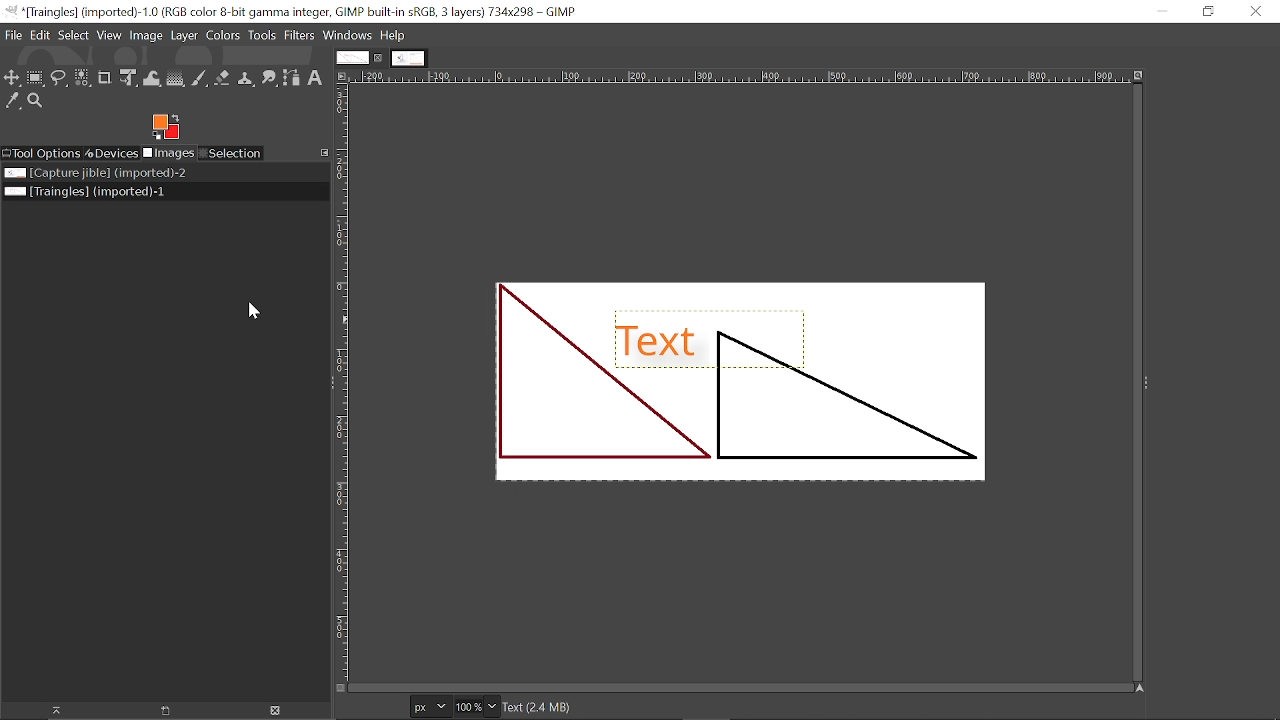 This screenshot has width=1280, height=720. What do you see at coordinates (1141, 76) in the screenshot?
I see `Zoom when window size changes` at bounding box center [1141, 76].